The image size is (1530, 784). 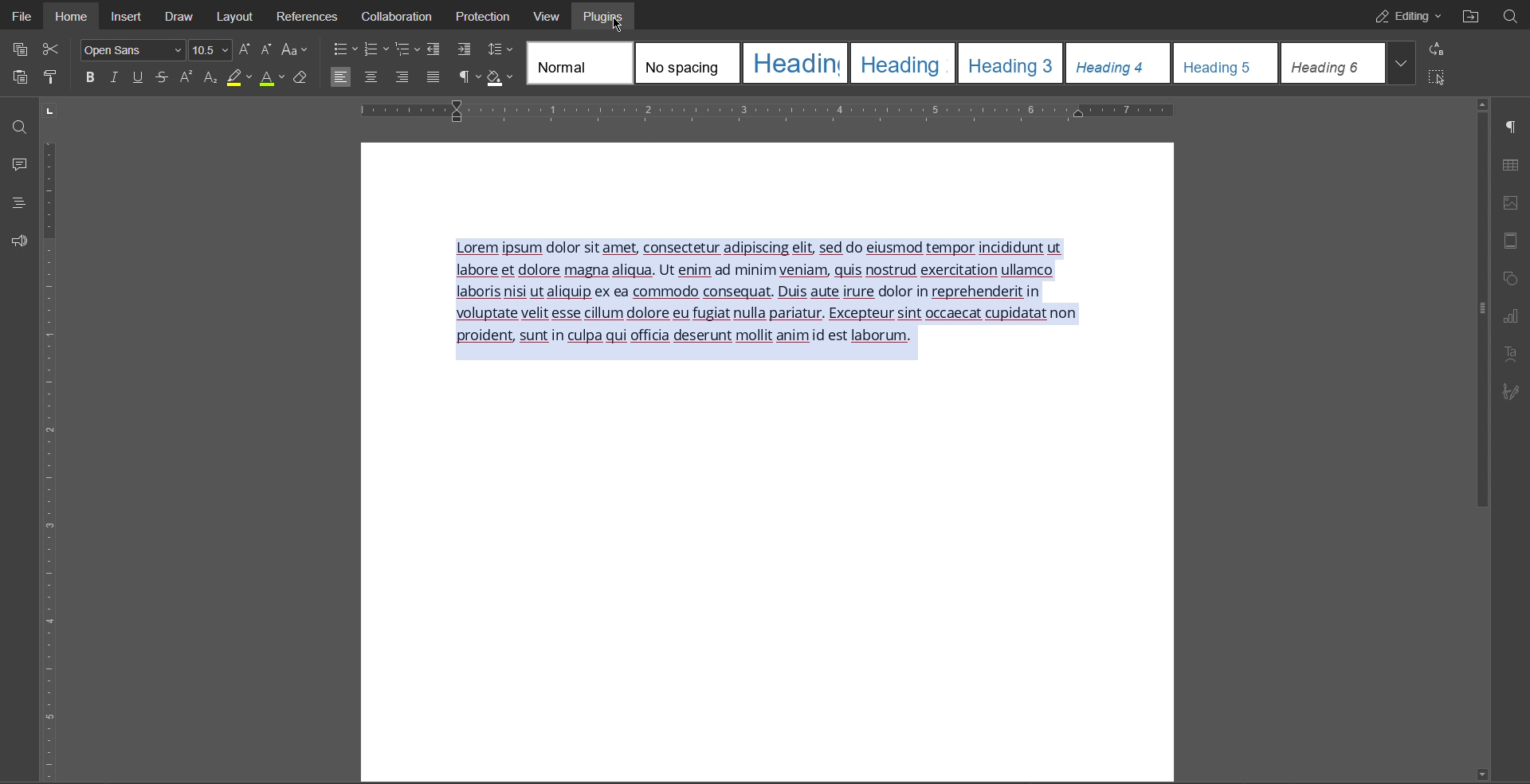 What do you see at coordinates (609, 16) in the screenshot?
I see `Plugins` at bounding box center [609, 16].